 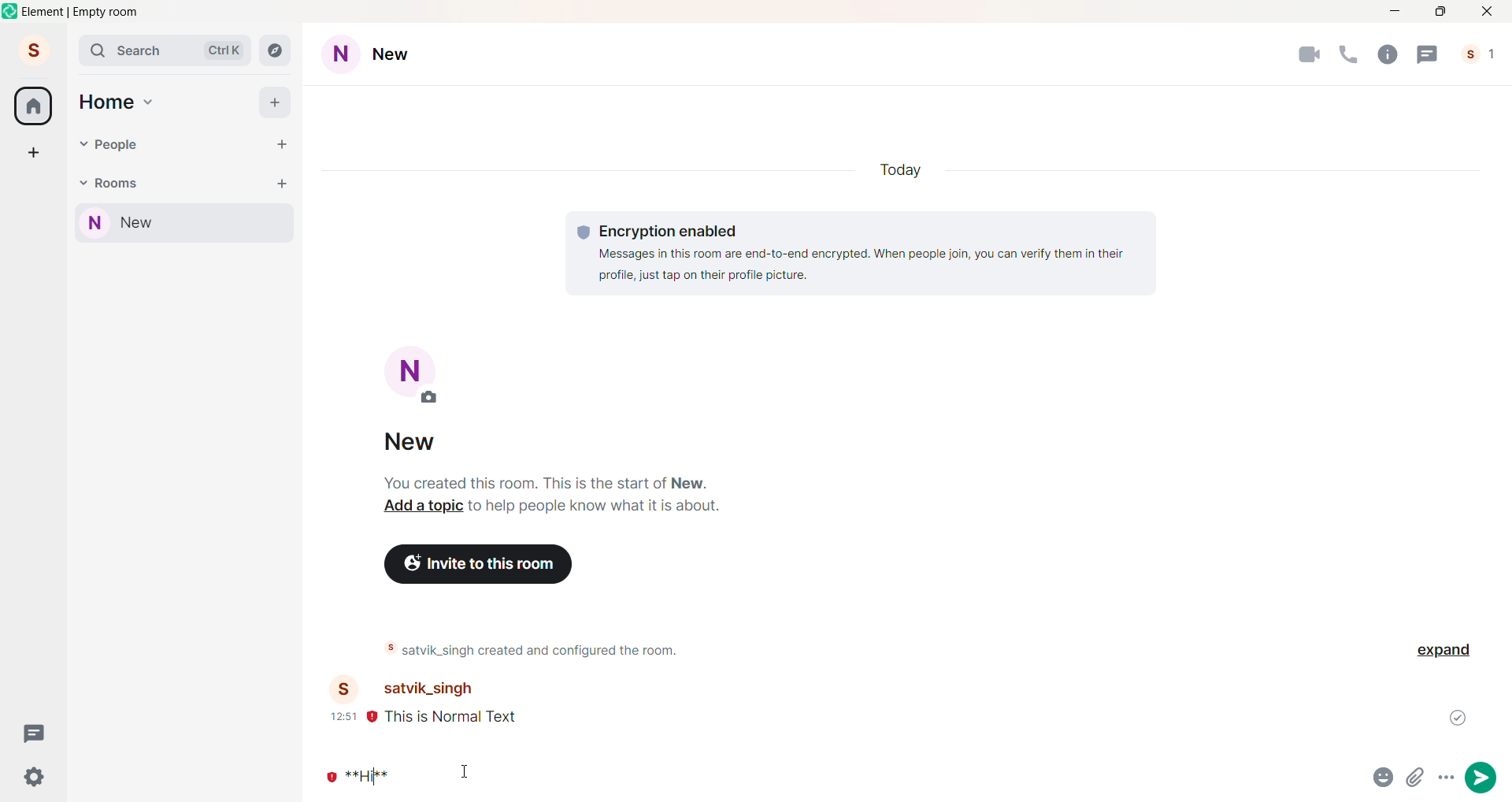 What do you see at coordinates (35, 776) in the screenshot?
I see `Quick Settings` at bounding box center [35, 776].